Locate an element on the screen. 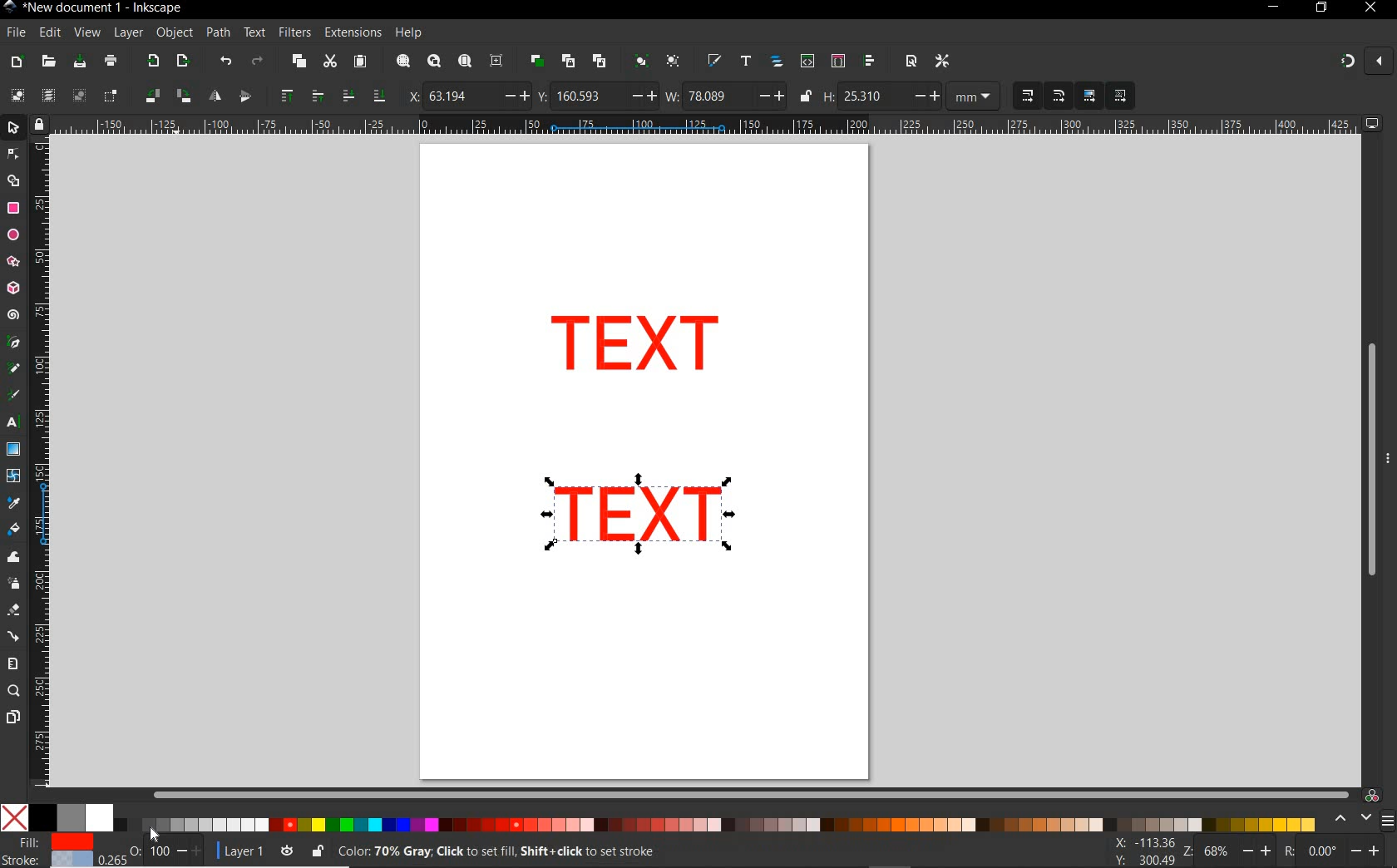  text tool is located at coordinates (15, 424).